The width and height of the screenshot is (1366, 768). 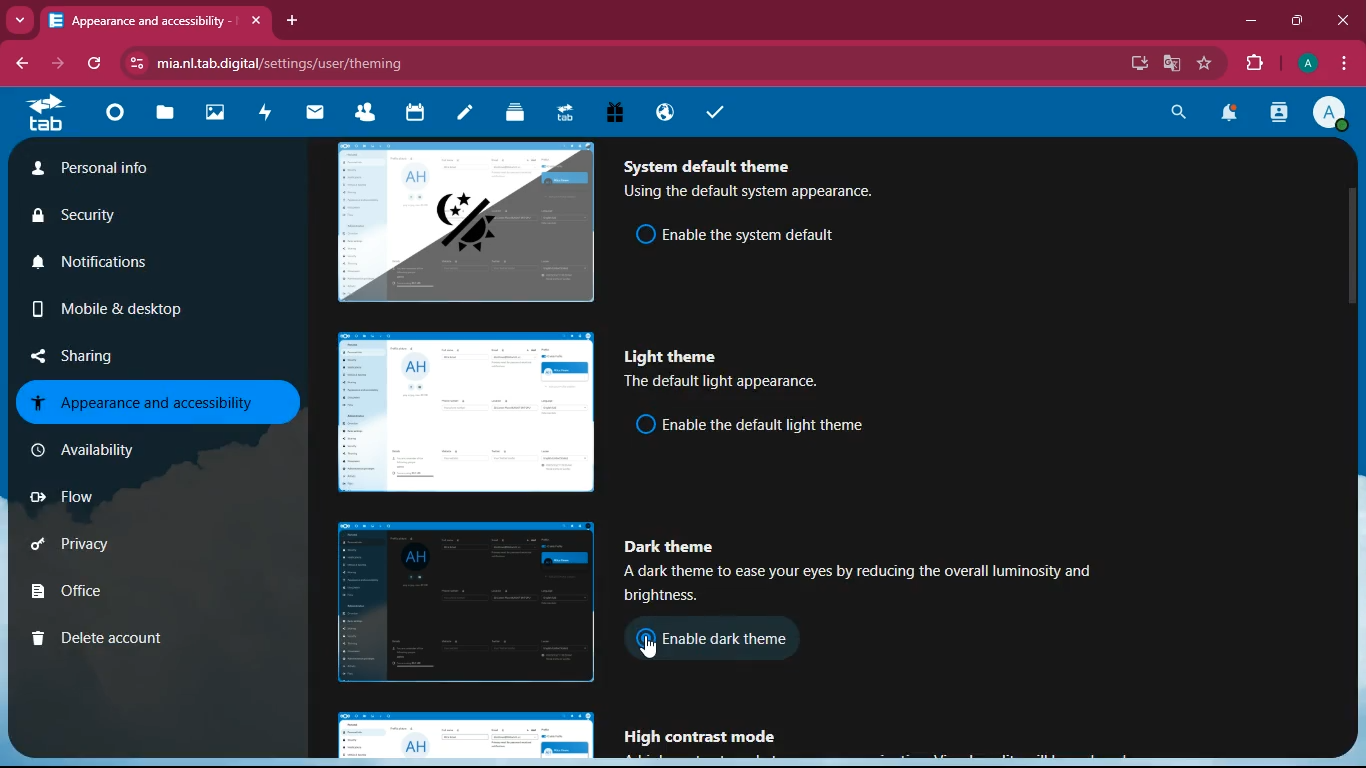 I want to click on forward, so click(x=60, y=64).